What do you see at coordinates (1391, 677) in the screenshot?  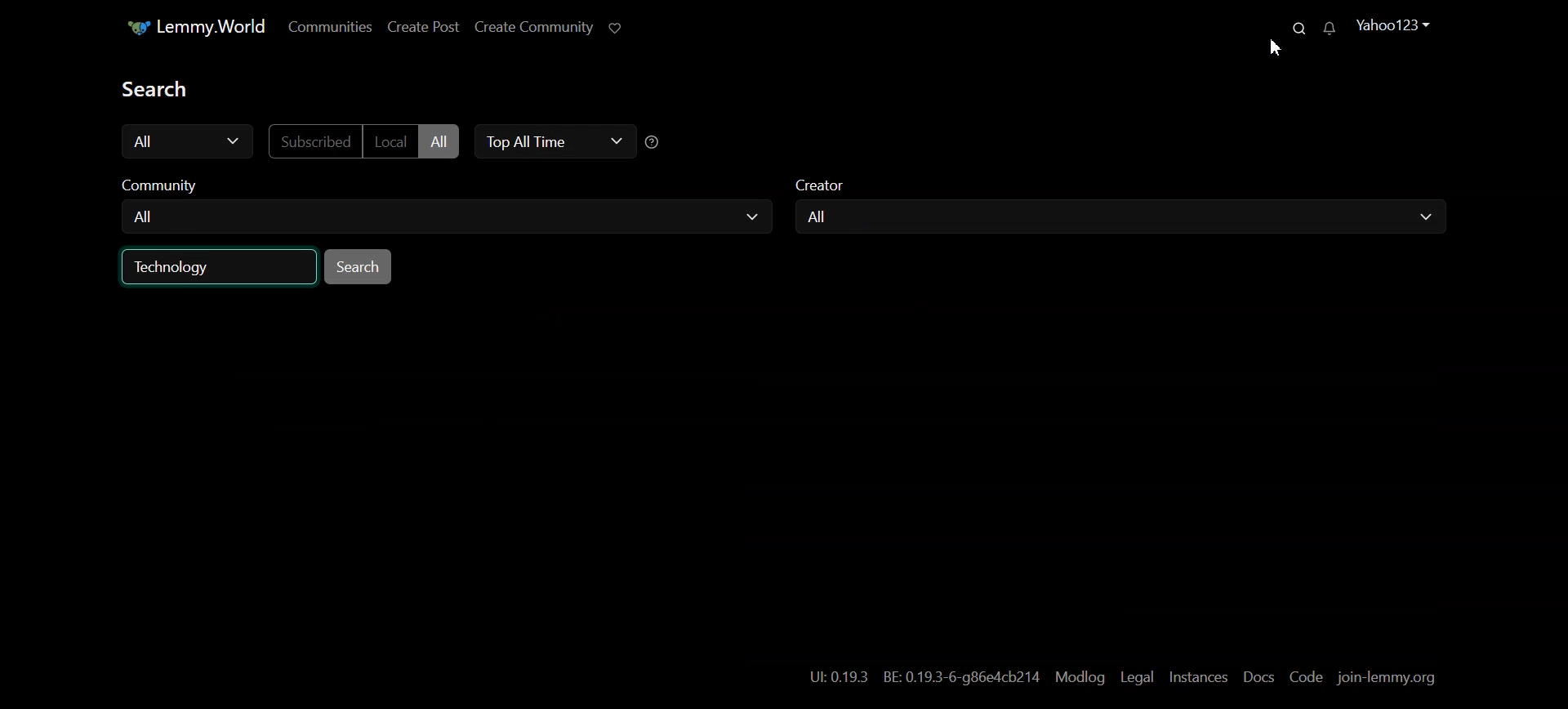 I see `join-lemmy.org` at bounding box center [1391, 677].